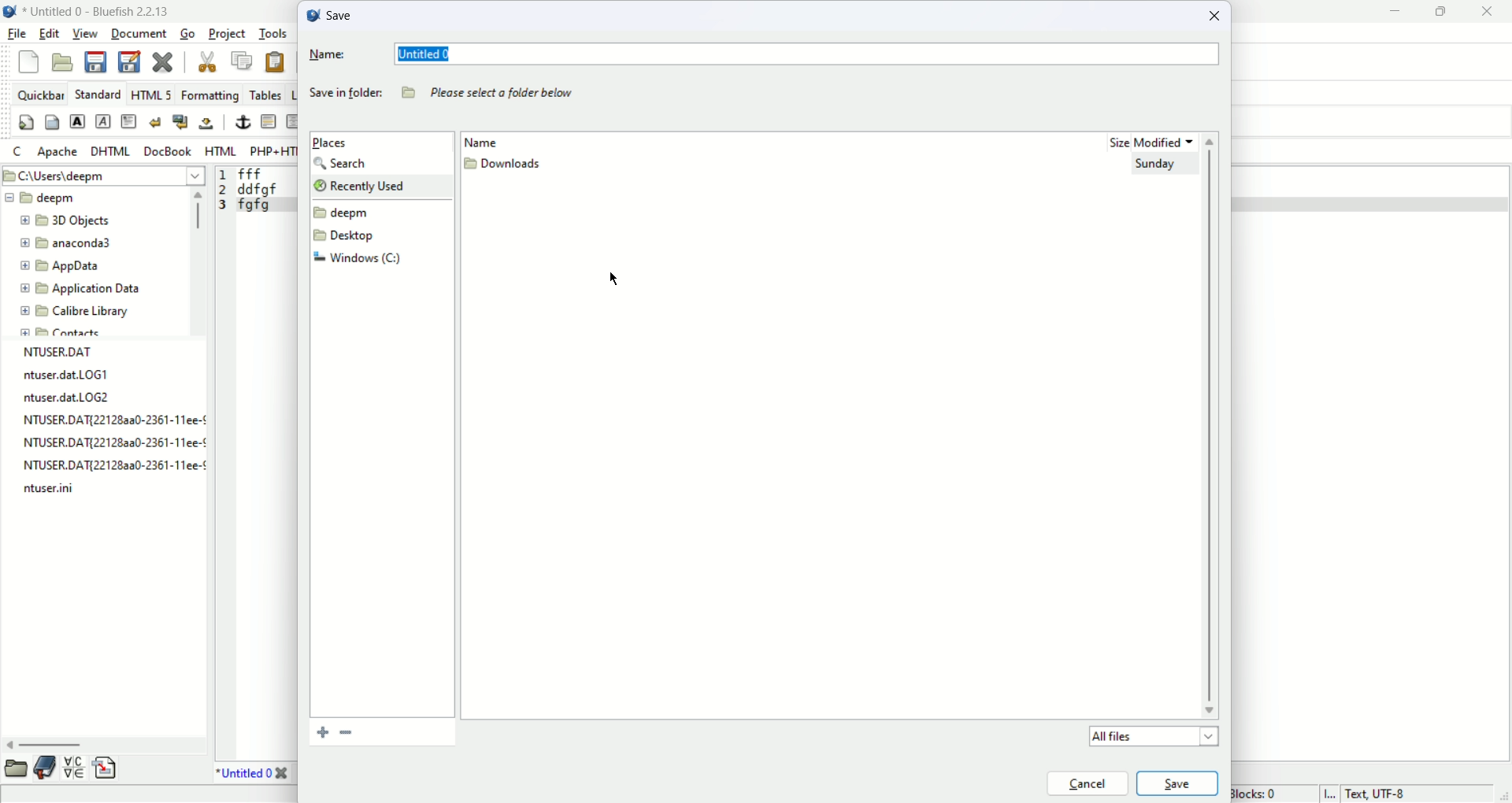 This screenshot has width=1512, height=803. Describe the element at coordinates (95, 61) in the screenshot. I see `save current file` at that location.